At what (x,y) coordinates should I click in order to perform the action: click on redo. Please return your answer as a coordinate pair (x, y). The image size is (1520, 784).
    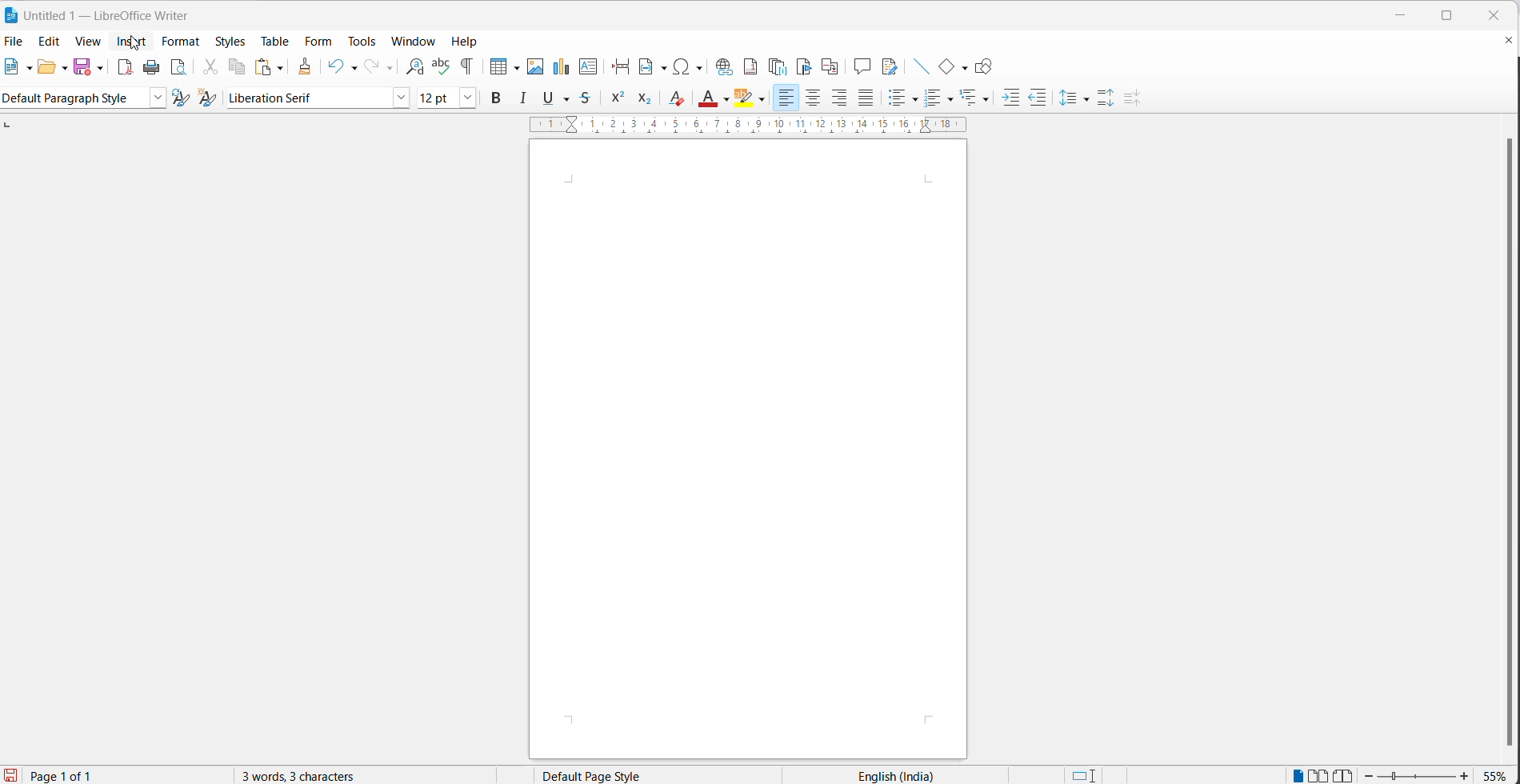
    Looking at the image, I should click on (371, 64).